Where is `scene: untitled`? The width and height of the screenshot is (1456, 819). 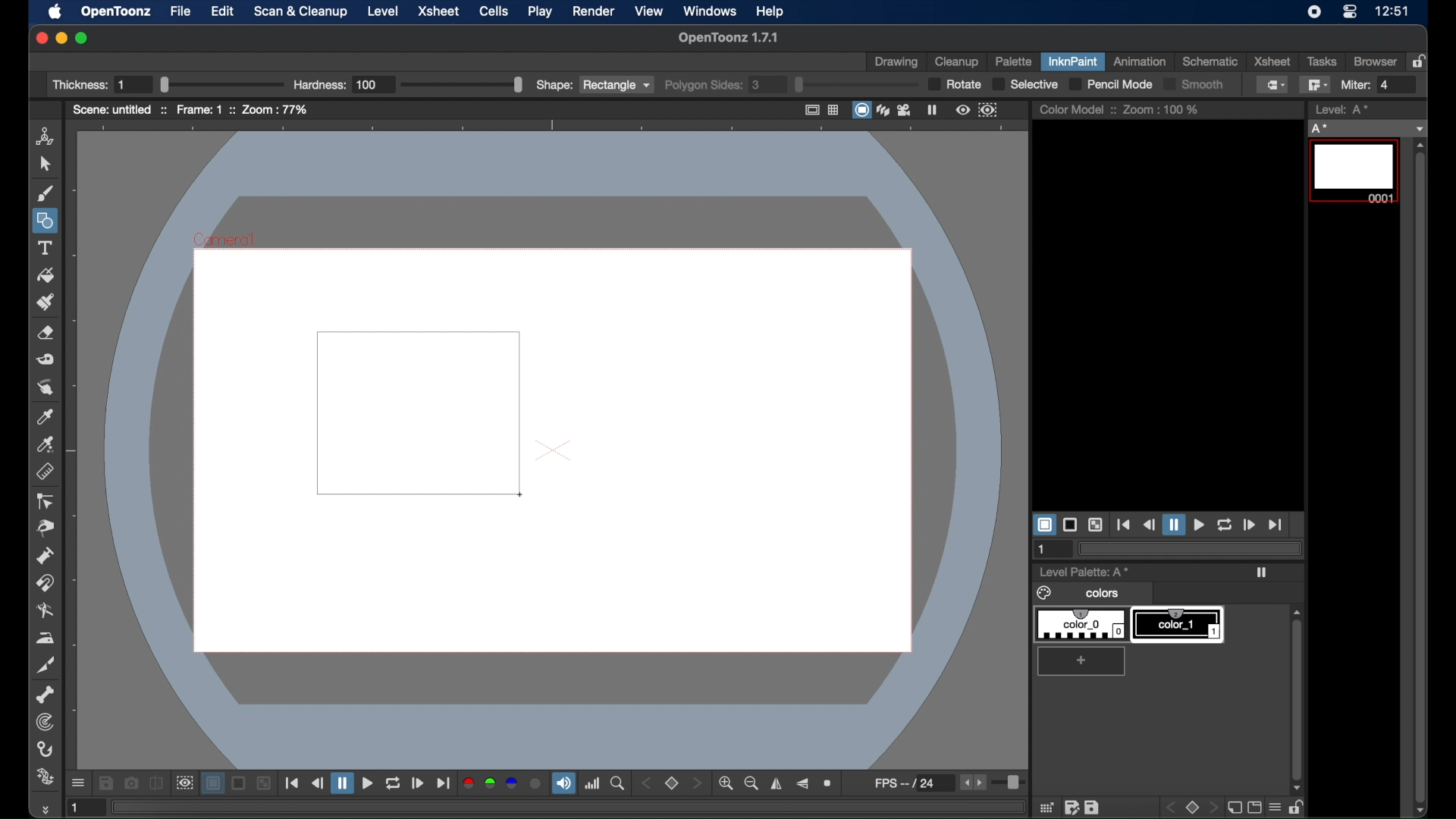 scene: untitled is located at coordinates (119, 109).